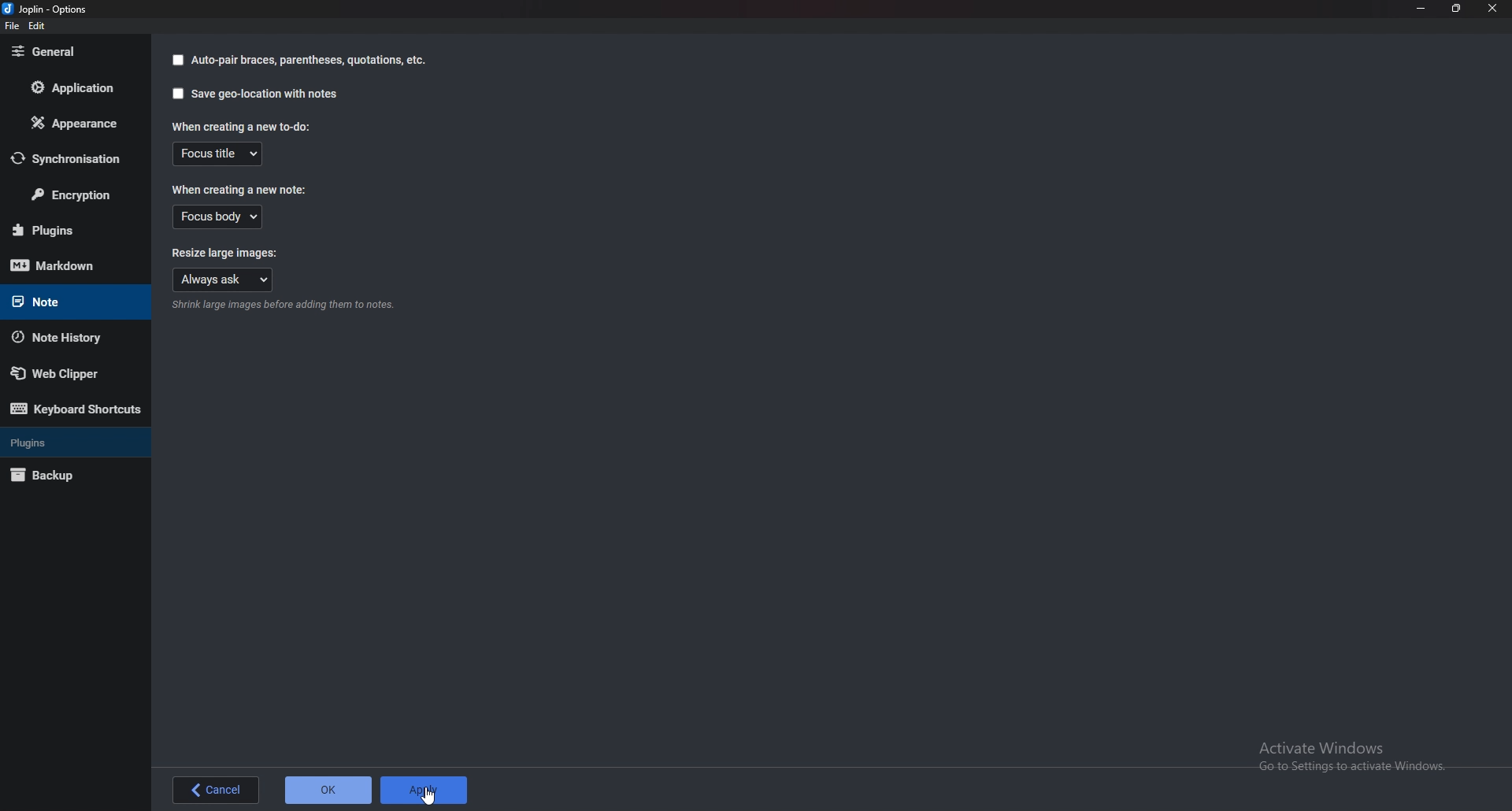 This screenshot has height=811, width=1512. Describe the element at coordinates (12, 27) in the screenshot. I see `file` at that location.